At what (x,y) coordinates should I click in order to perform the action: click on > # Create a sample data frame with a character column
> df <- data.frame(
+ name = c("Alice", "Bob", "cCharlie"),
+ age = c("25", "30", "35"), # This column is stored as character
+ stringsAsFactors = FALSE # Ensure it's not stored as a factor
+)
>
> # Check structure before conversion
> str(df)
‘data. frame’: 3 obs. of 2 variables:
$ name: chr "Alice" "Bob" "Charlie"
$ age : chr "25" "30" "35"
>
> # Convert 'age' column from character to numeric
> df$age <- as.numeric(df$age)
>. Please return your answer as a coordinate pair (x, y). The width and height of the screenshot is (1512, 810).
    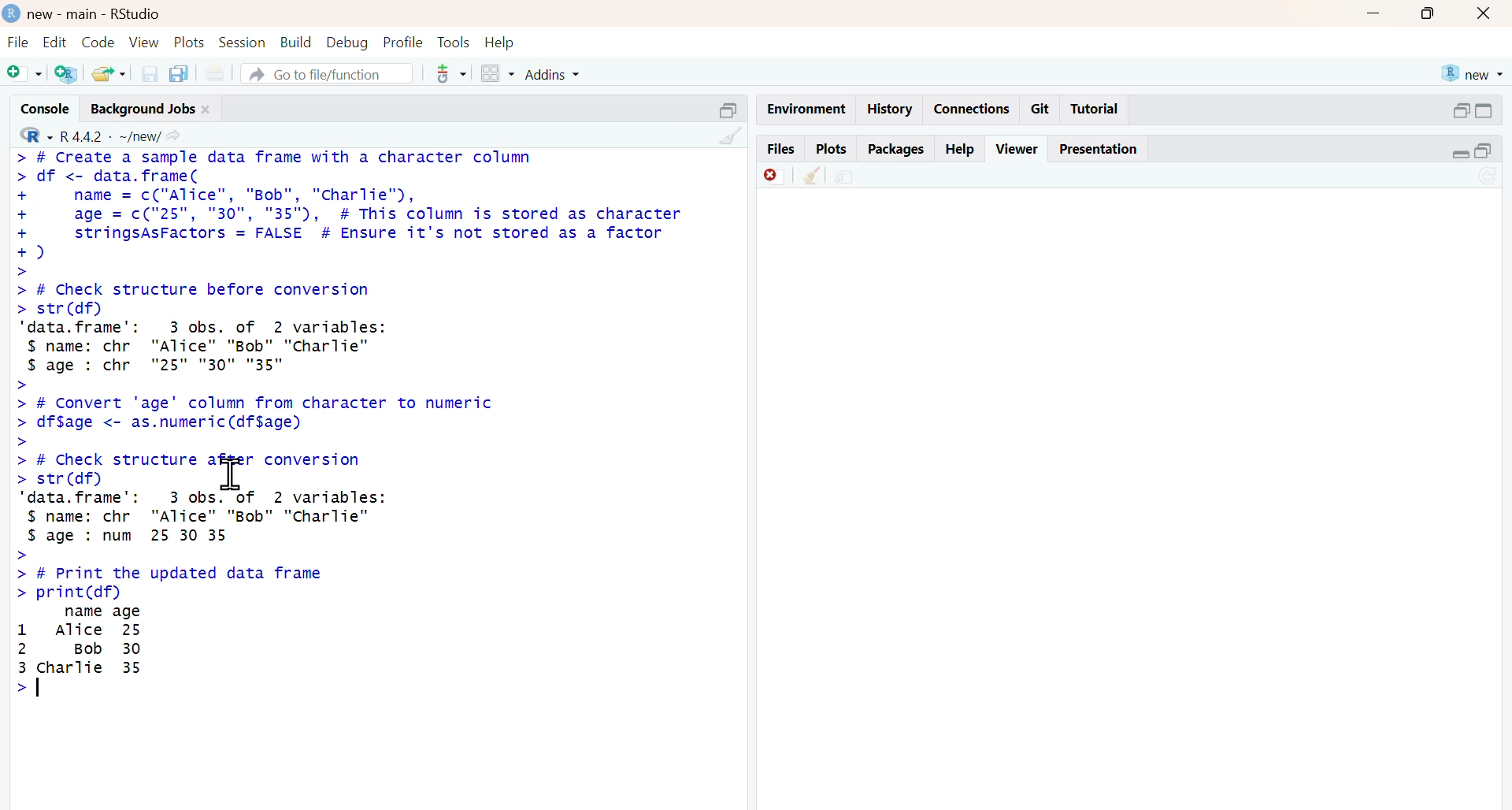
    Looking at the image, I should click on (350, 297).